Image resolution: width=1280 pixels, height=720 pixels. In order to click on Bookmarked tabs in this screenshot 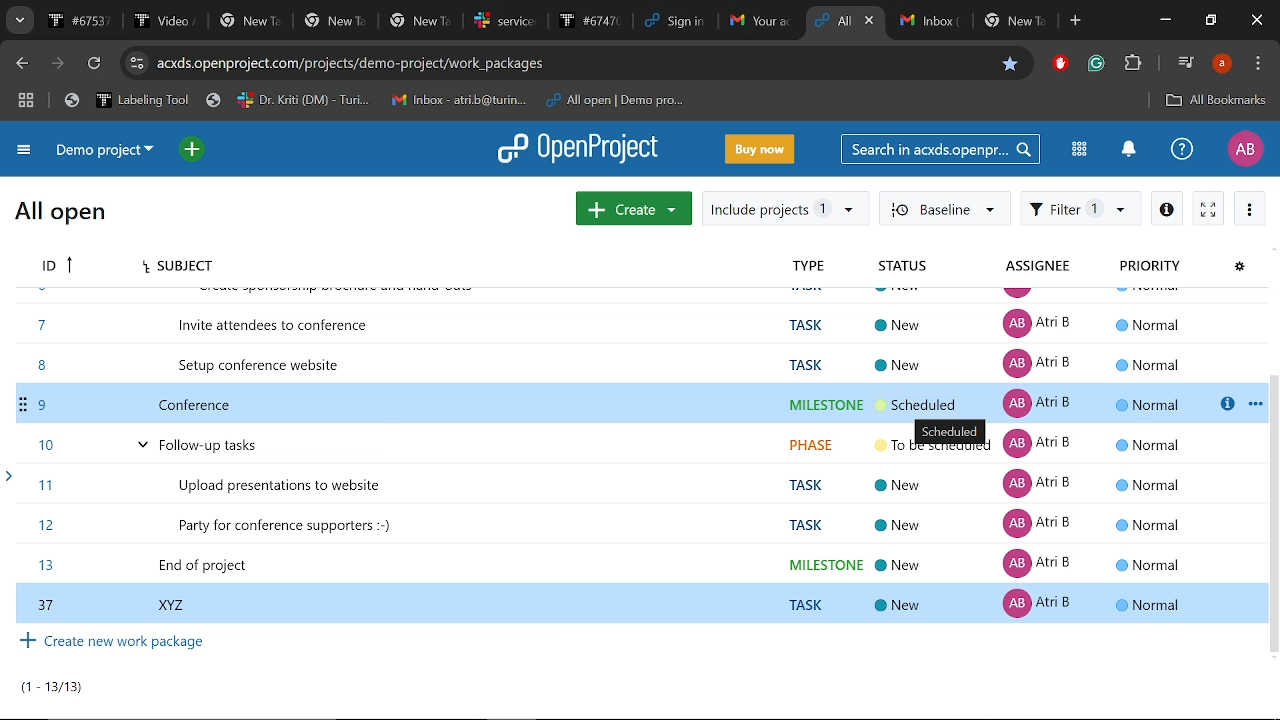, I will do `click(380, 101)`.